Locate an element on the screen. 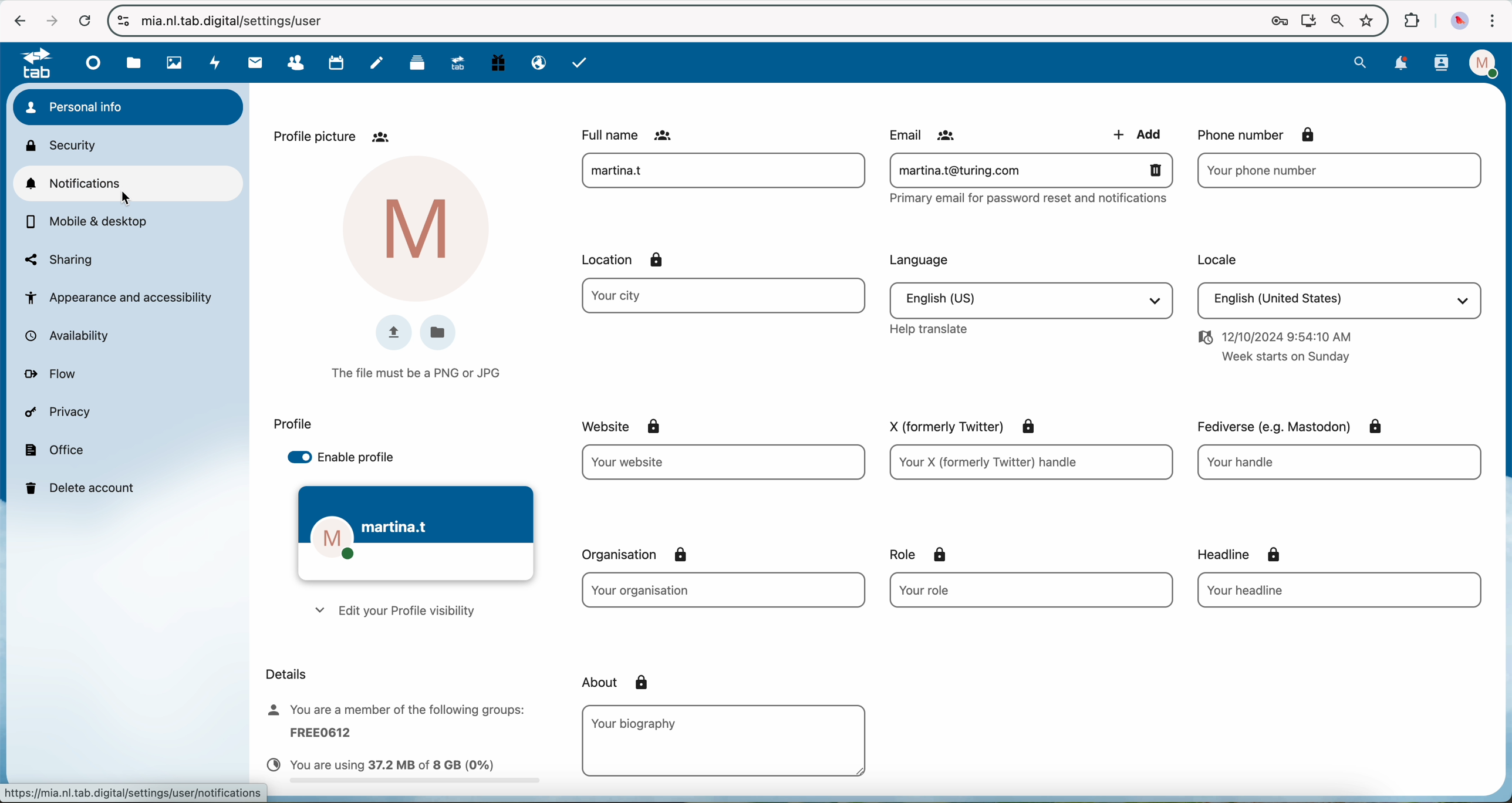  navigate foward is located at coordinates (48, 19).